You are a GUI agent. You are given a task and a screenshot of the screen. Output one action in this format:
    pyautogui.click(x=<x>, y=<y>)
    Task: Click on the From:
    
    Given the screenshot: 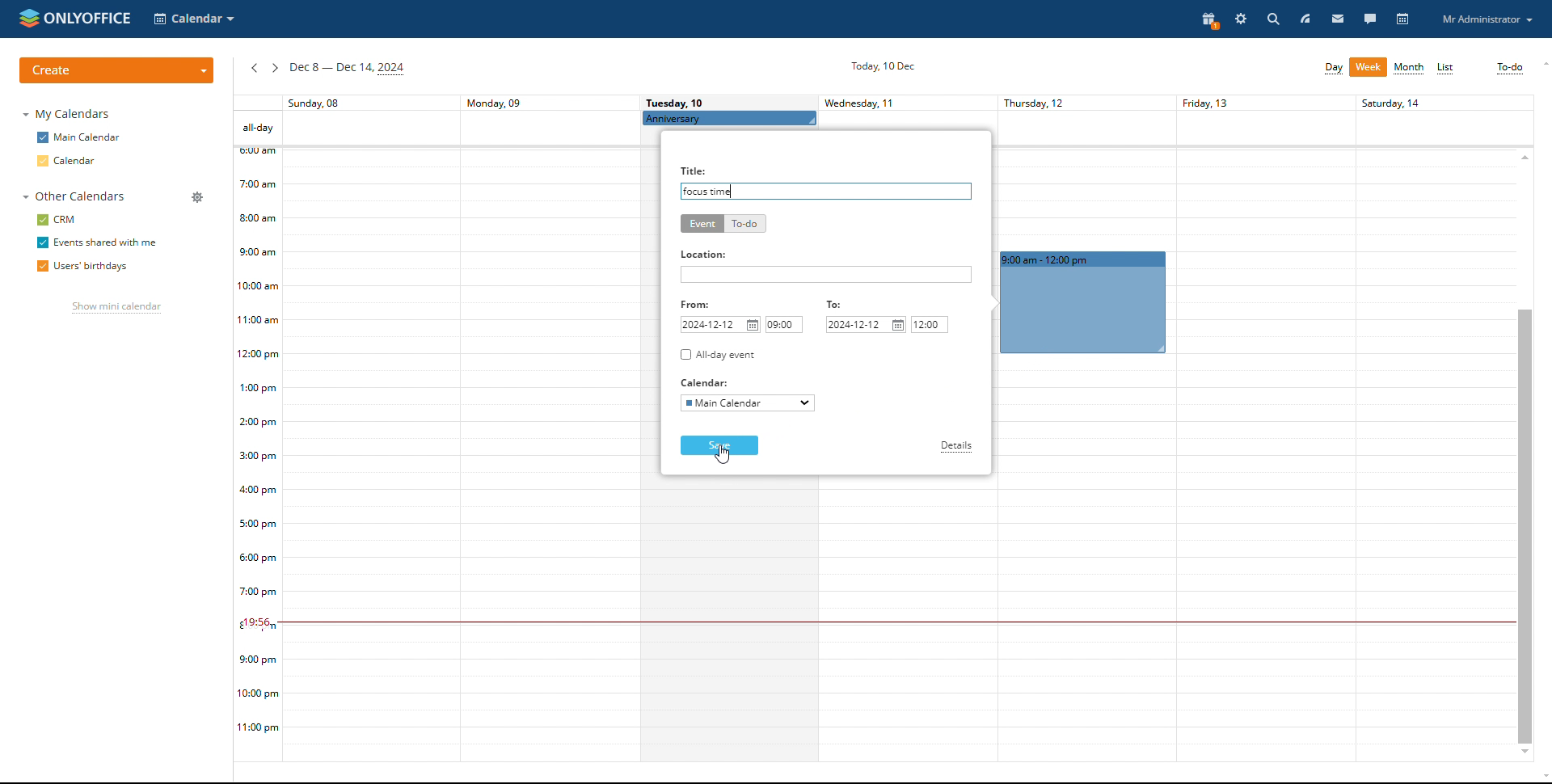 What is the action you would take?
    pyautogui.click(x=698, y=306)
    